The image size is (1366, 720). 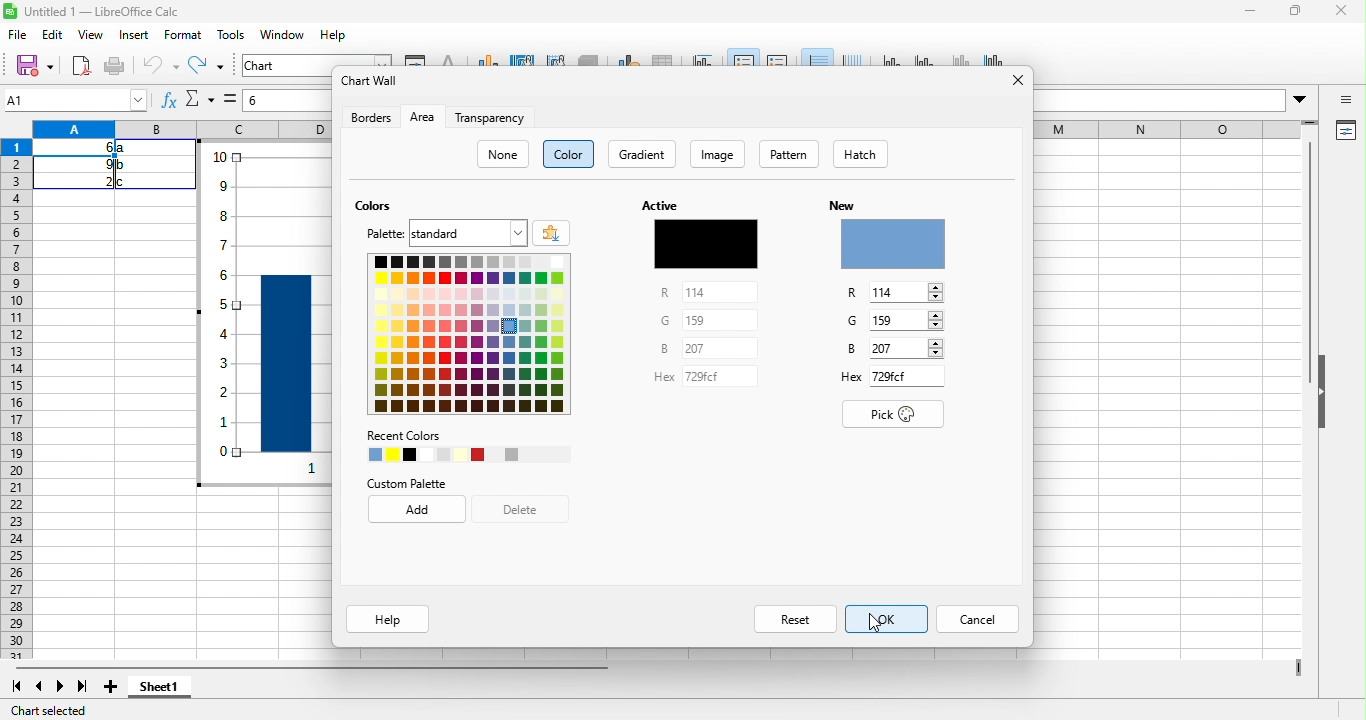 I want to click on area, so click(x=423, y=118).